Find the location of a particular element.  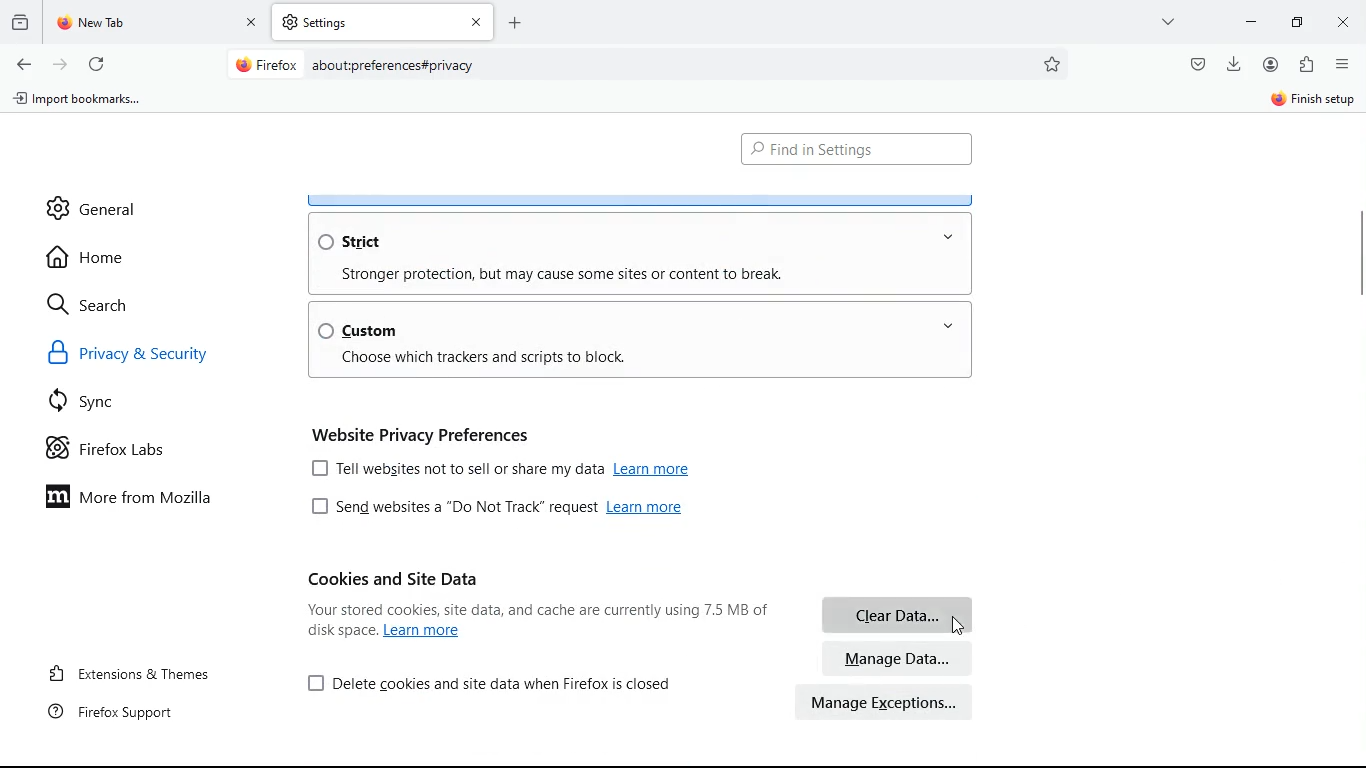

refresh is located at coordinates (96, 61).